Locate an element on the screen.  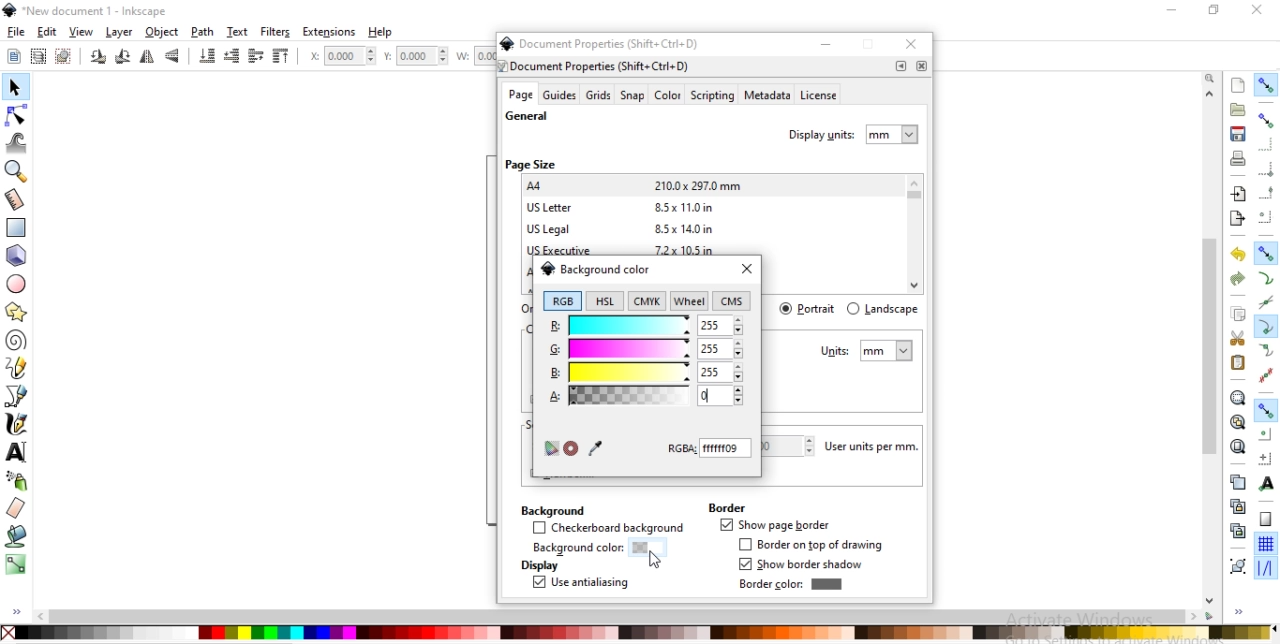
print document is located at coordinates (1236, 158).